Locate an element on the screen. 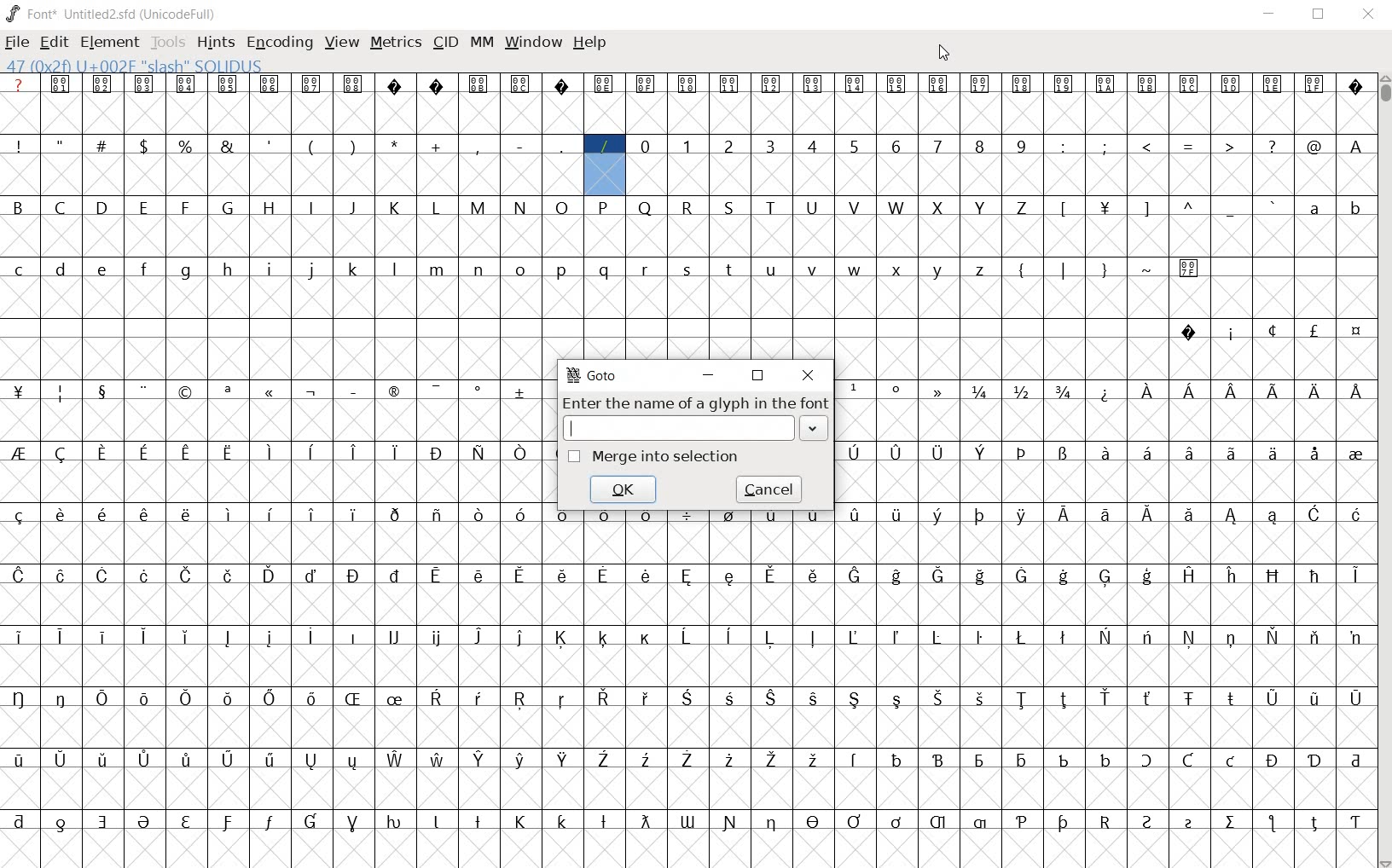  glyph is located at coordinates (1232, 698).